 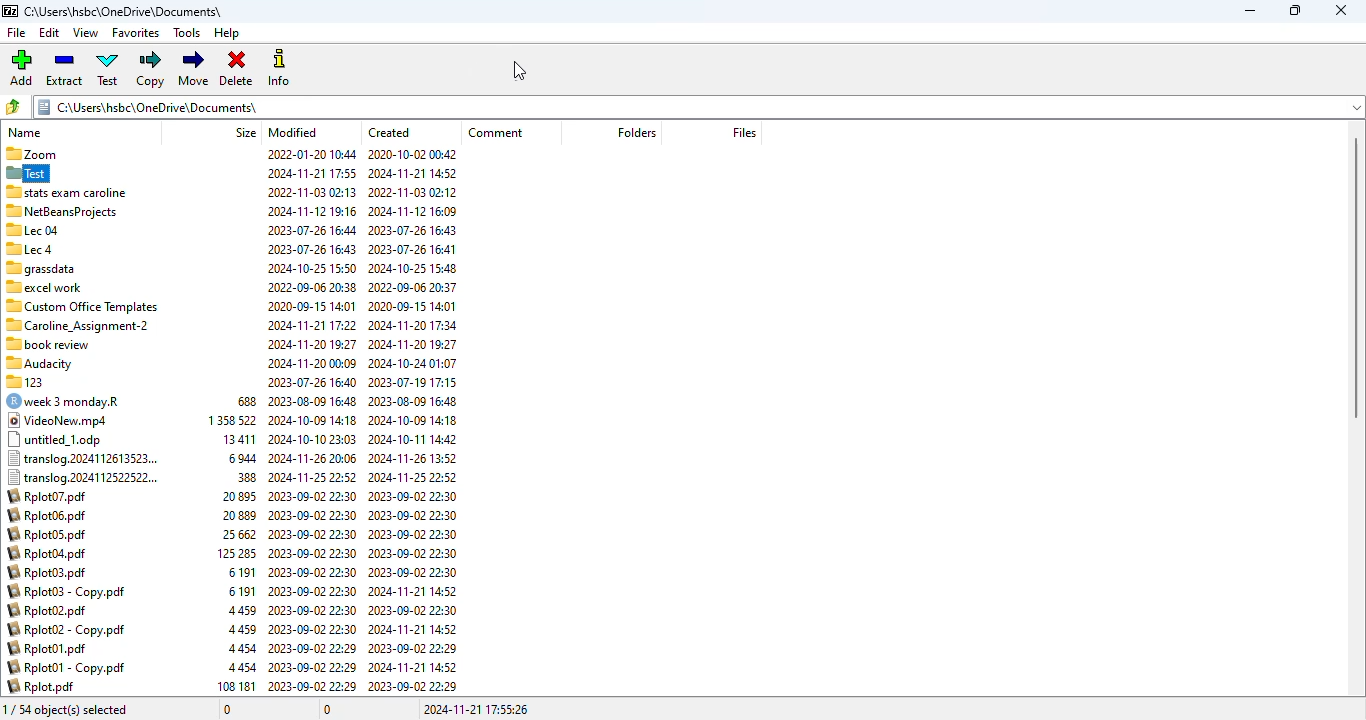 What do you see at coordinates (413, 573) in the screenshot?
I see `2023-09-02 22:30` at bounding box center [413, 573].